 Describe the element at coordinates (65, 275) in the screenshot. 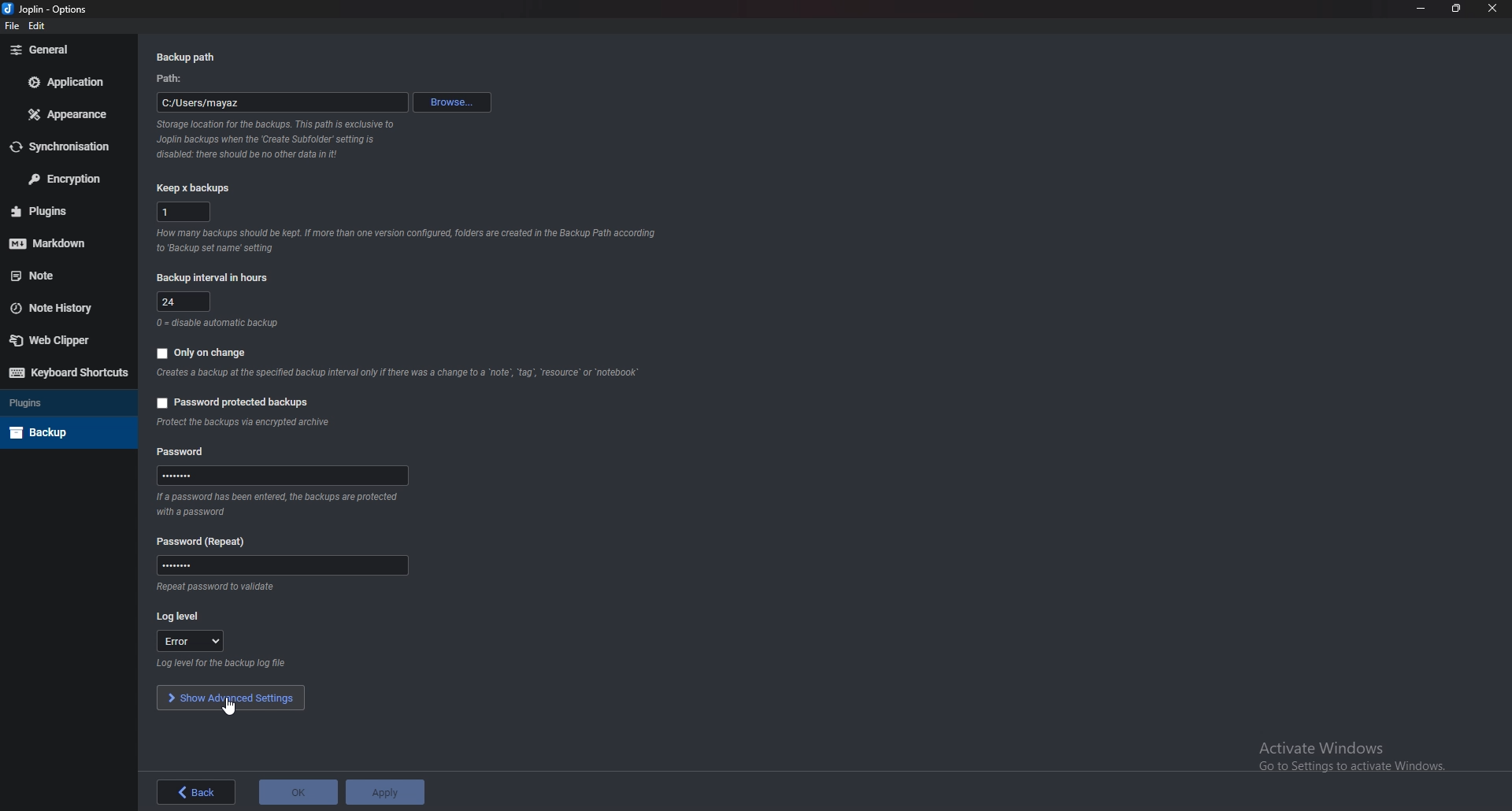

I see `note` at that location.